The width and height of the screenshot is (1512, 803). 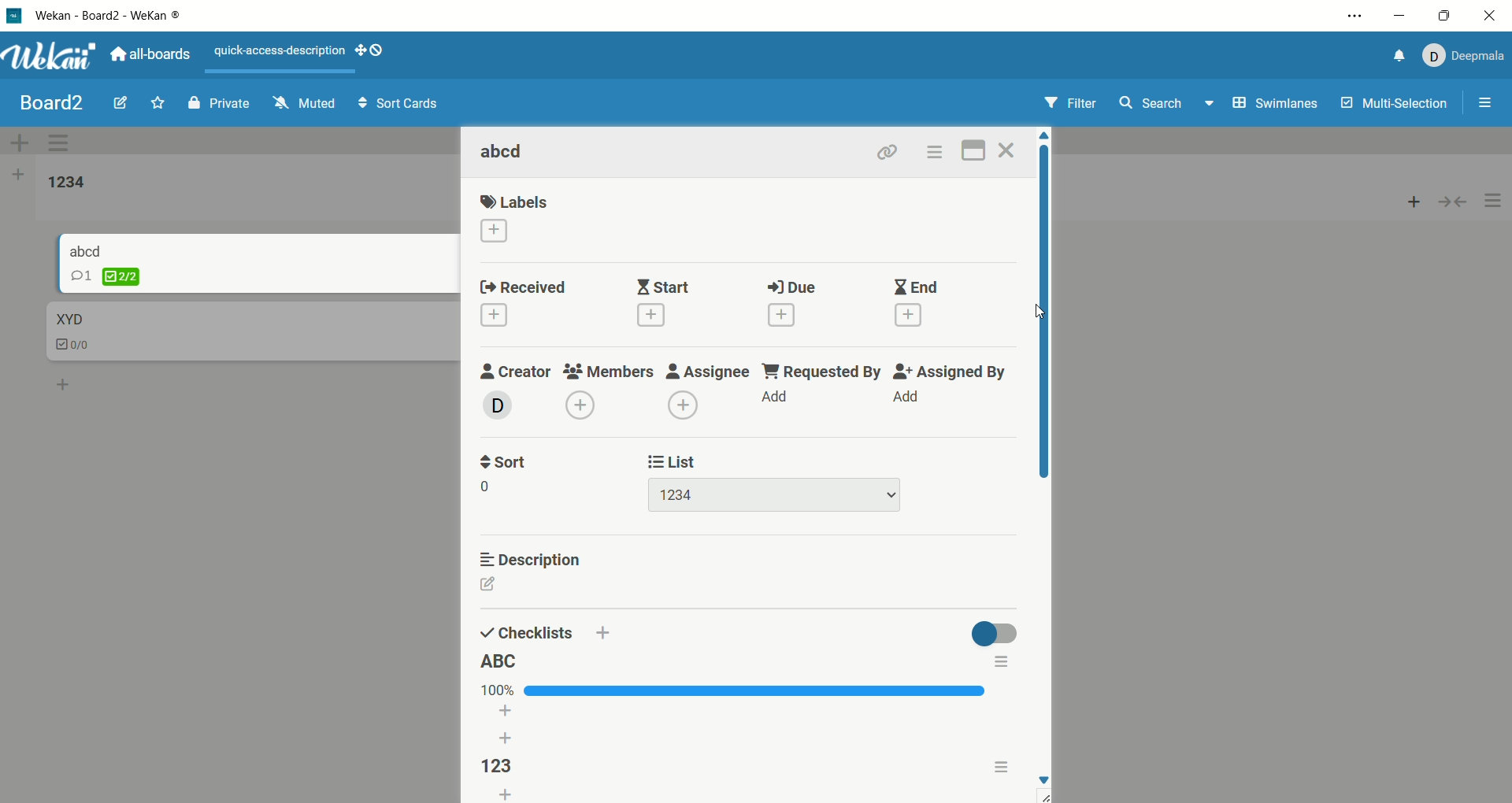 What do you see at coordinates (108, 17) in the screenshot?
I see `wekan-wekan` at bounding box center [108, 17].